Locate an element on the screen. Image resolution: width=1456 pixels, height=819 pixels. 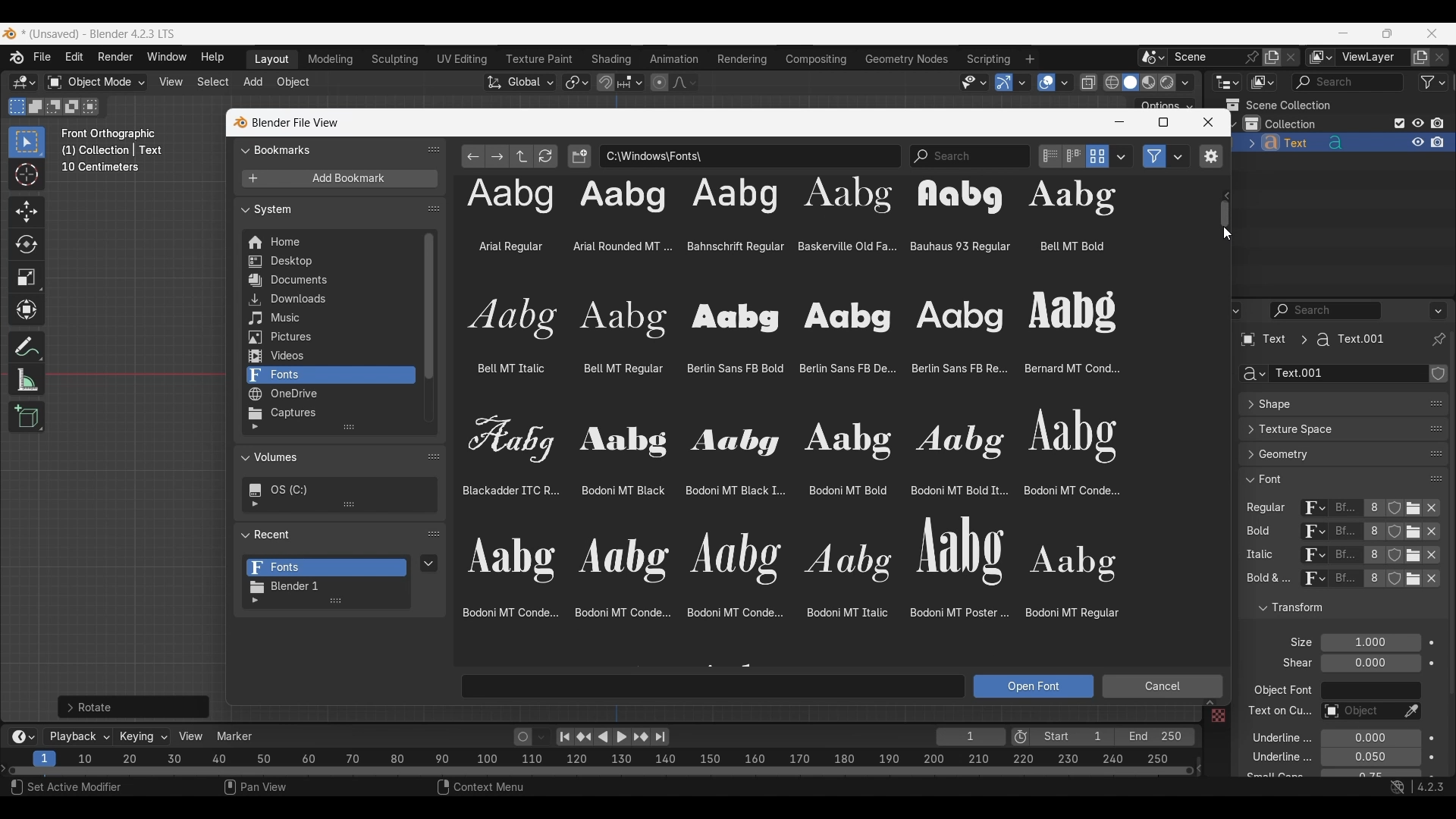
Shading is located at coordinates (1185, 83).